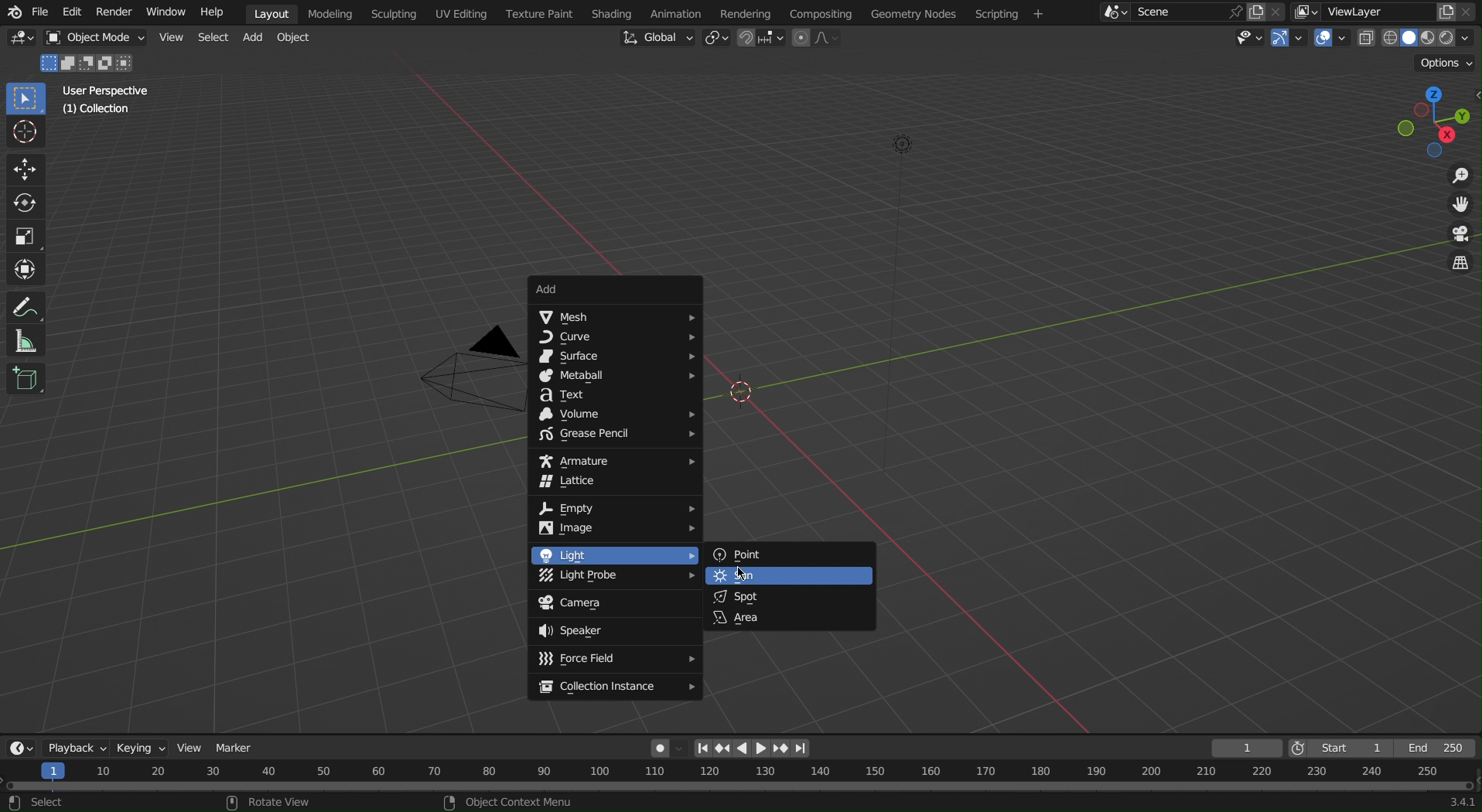 The height and width of the screenshot is (812, 1482). What do you see at coordinates (1279, 11) in the screenshot?
I see `close` at bounding box center [1279, 11].